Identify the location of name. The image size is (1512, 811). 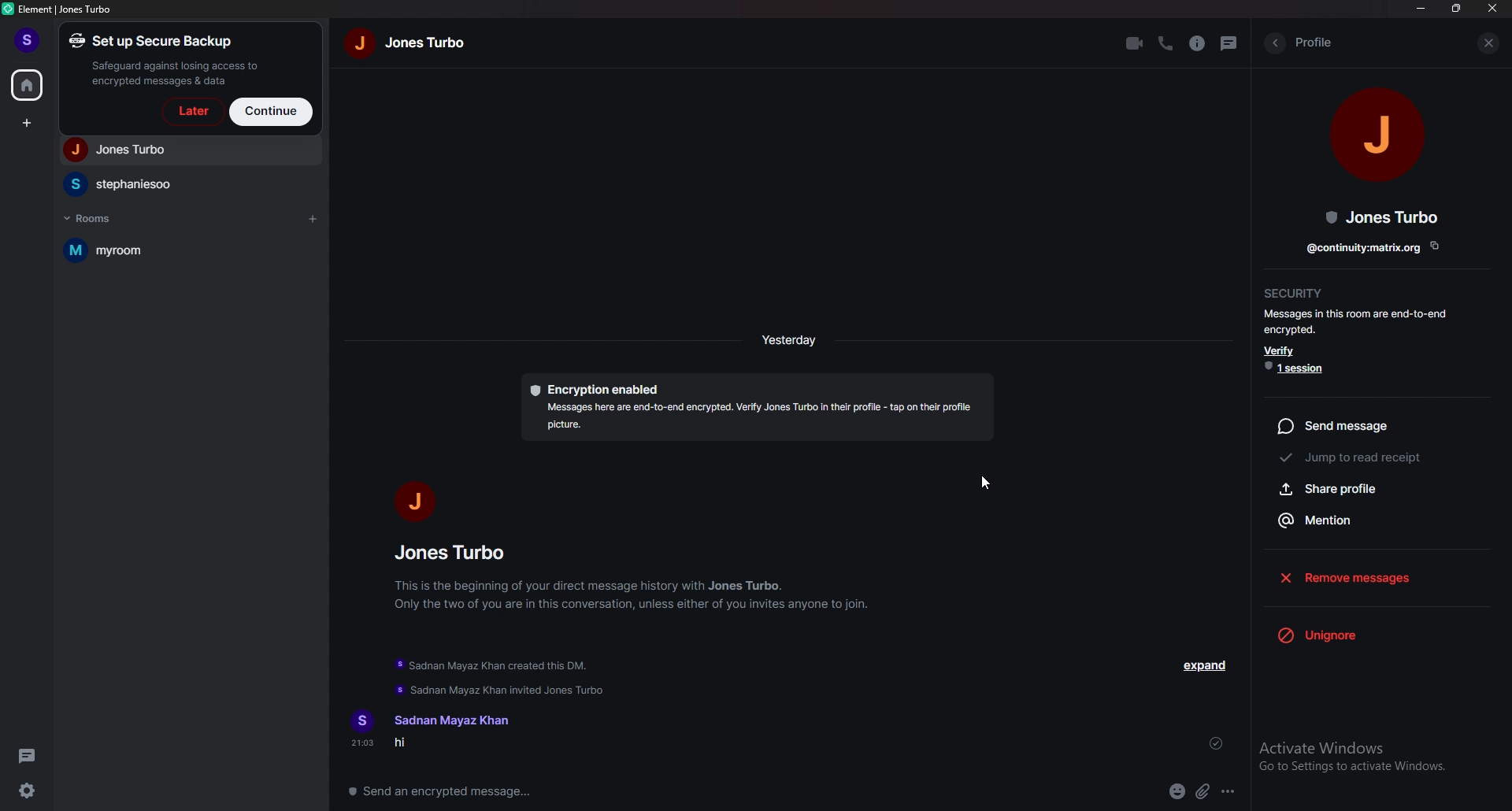
(409, 42).